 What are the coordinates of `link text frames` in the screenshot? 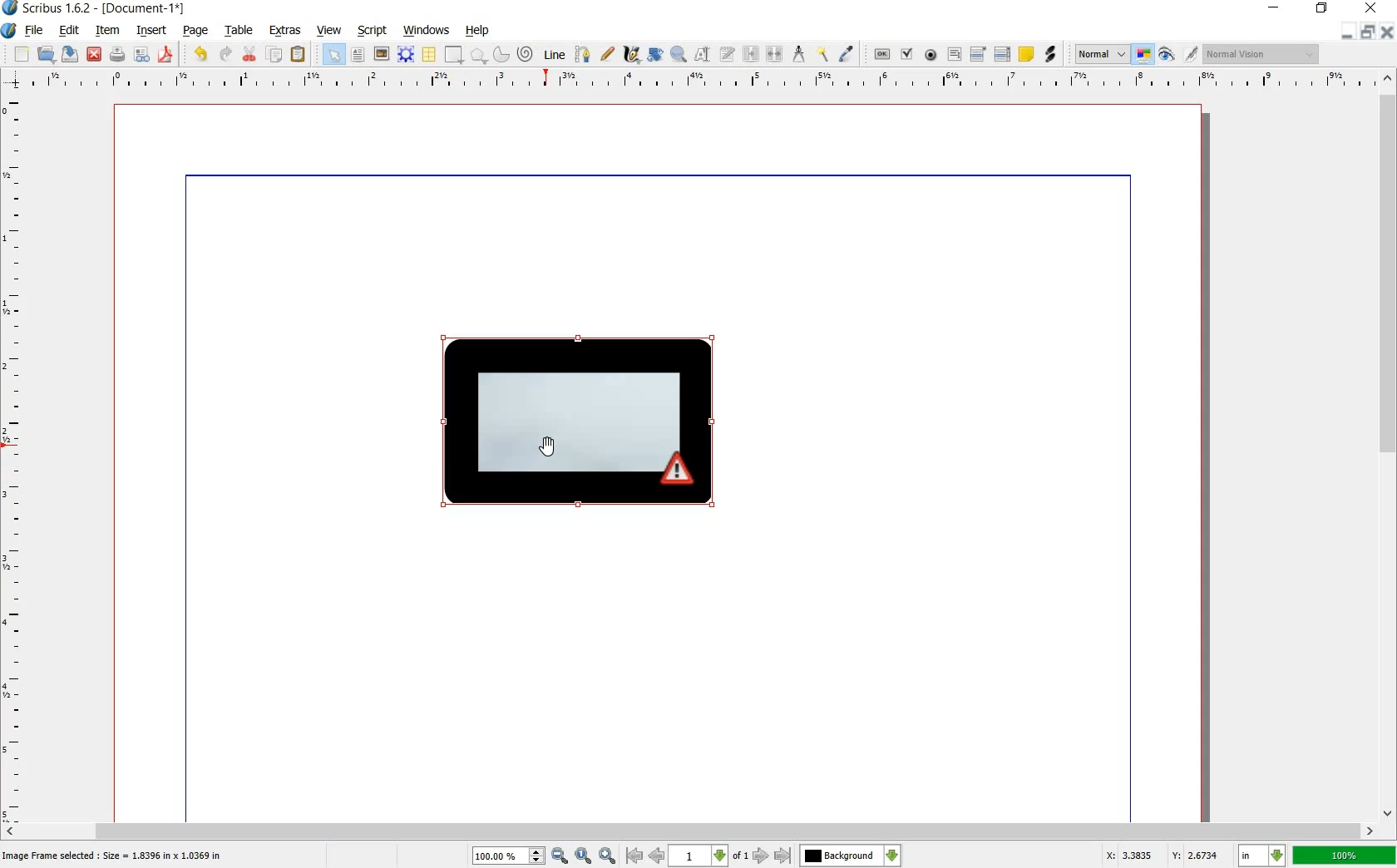 It's located at (750, 53).